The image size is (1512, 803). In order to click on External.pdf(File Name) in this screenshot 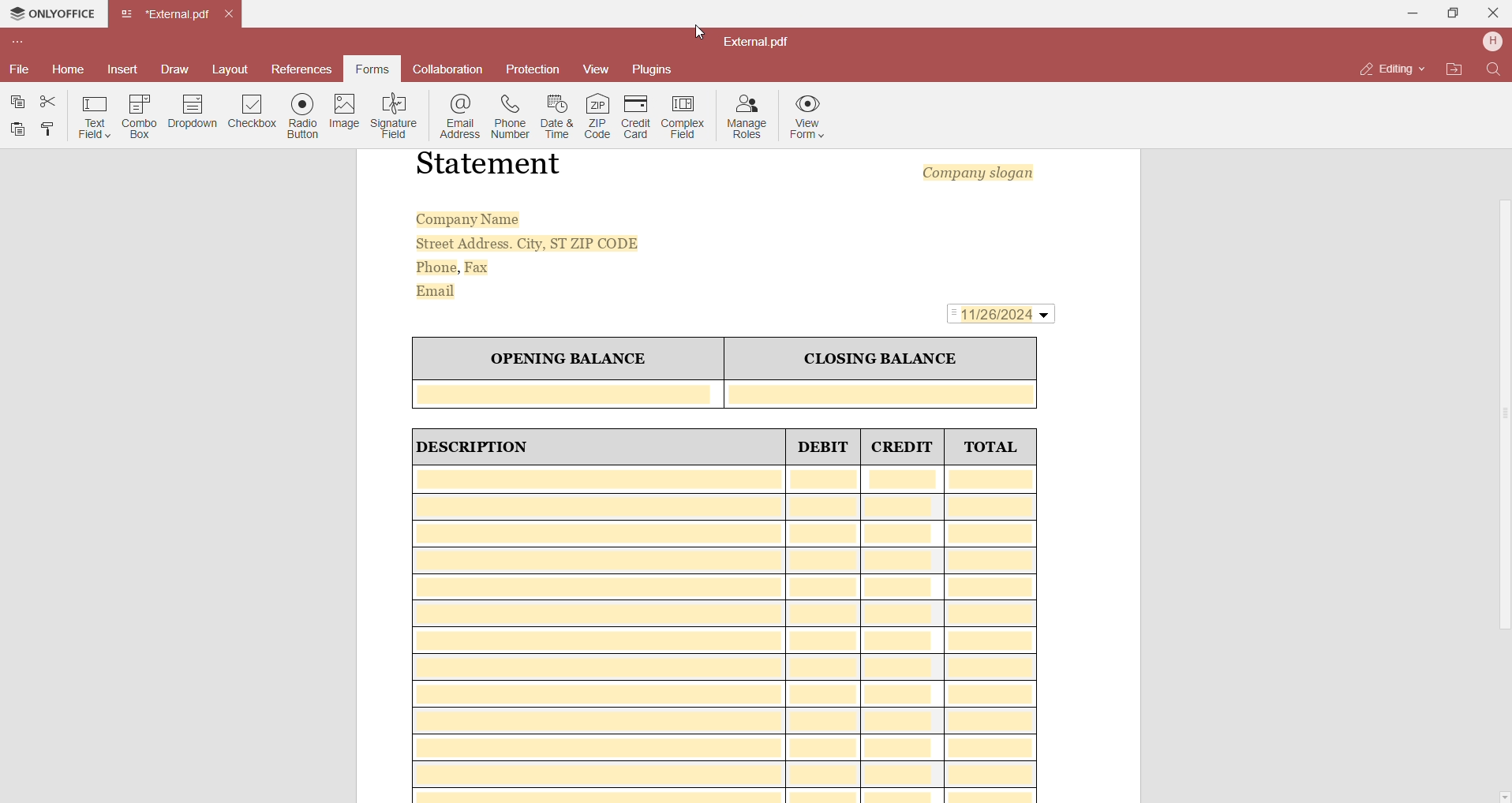, I will do `click(764, 41)`.